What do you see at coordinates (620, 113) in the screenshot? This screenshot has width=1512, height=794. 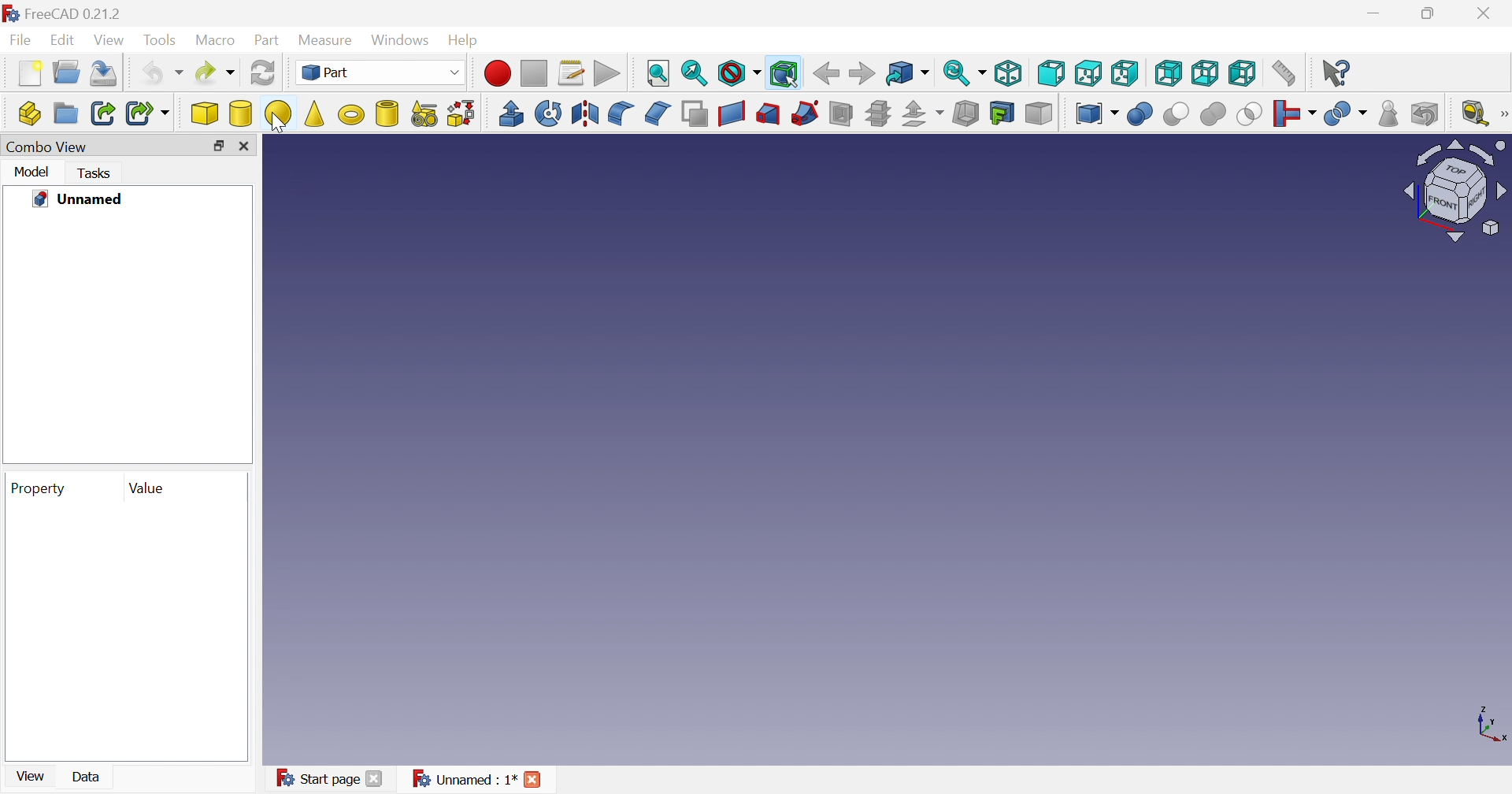 I see `Fillet` at bounding box center [620, 113].